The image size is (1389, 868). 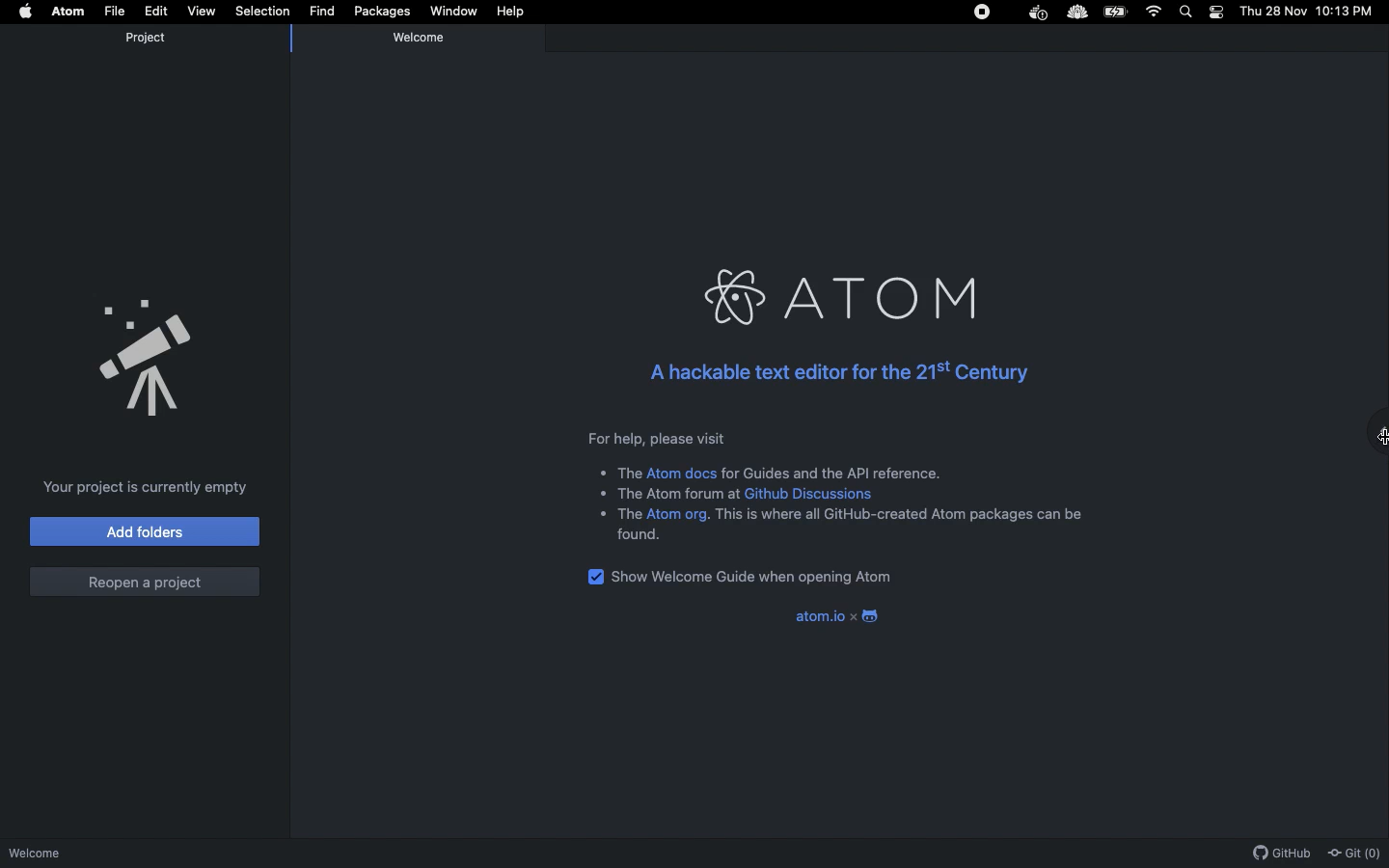 I want to click on Internet, so click(x=1156, y=12).